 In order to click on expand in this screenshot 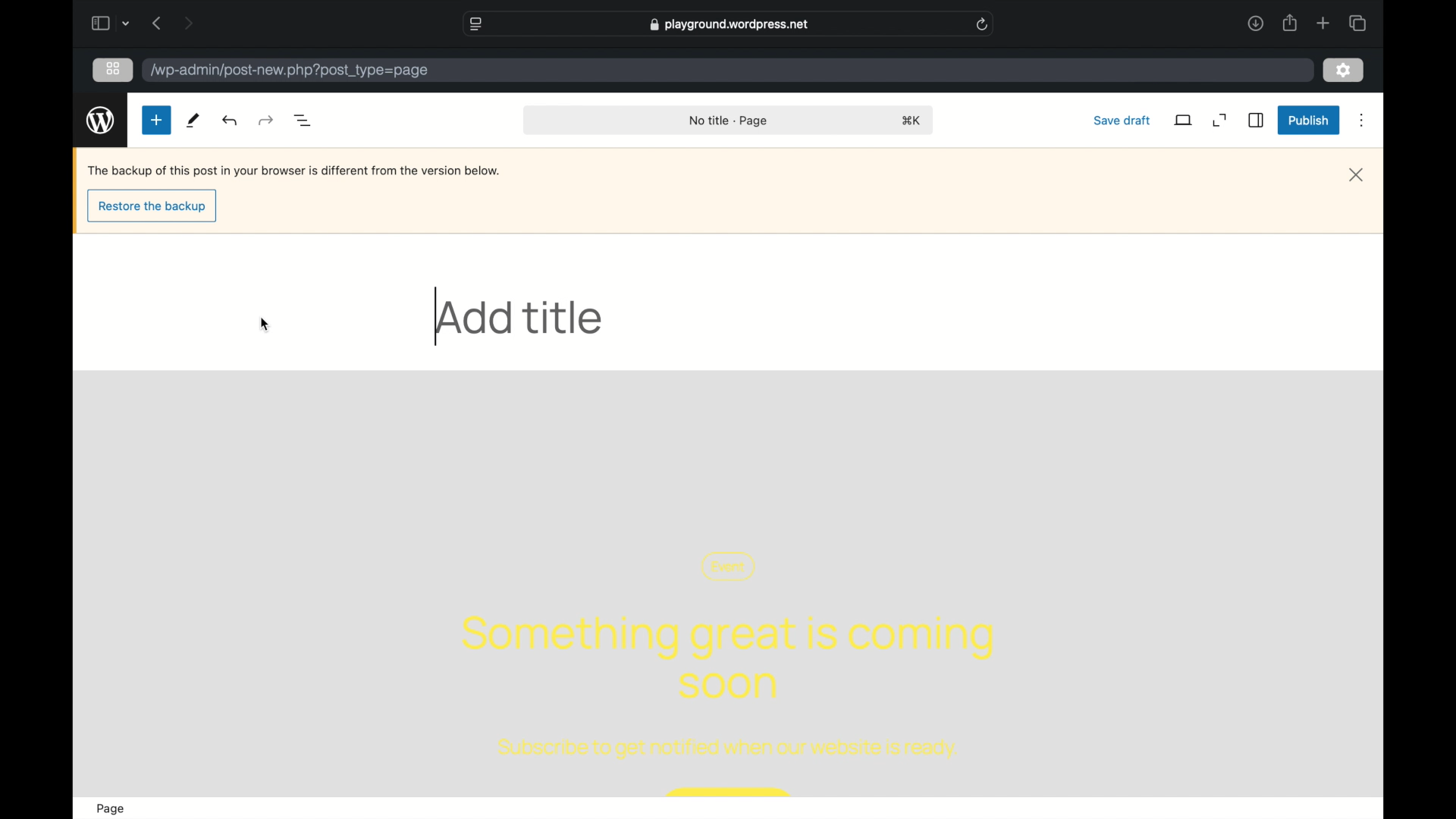, I will do `click(1221, 121)`.